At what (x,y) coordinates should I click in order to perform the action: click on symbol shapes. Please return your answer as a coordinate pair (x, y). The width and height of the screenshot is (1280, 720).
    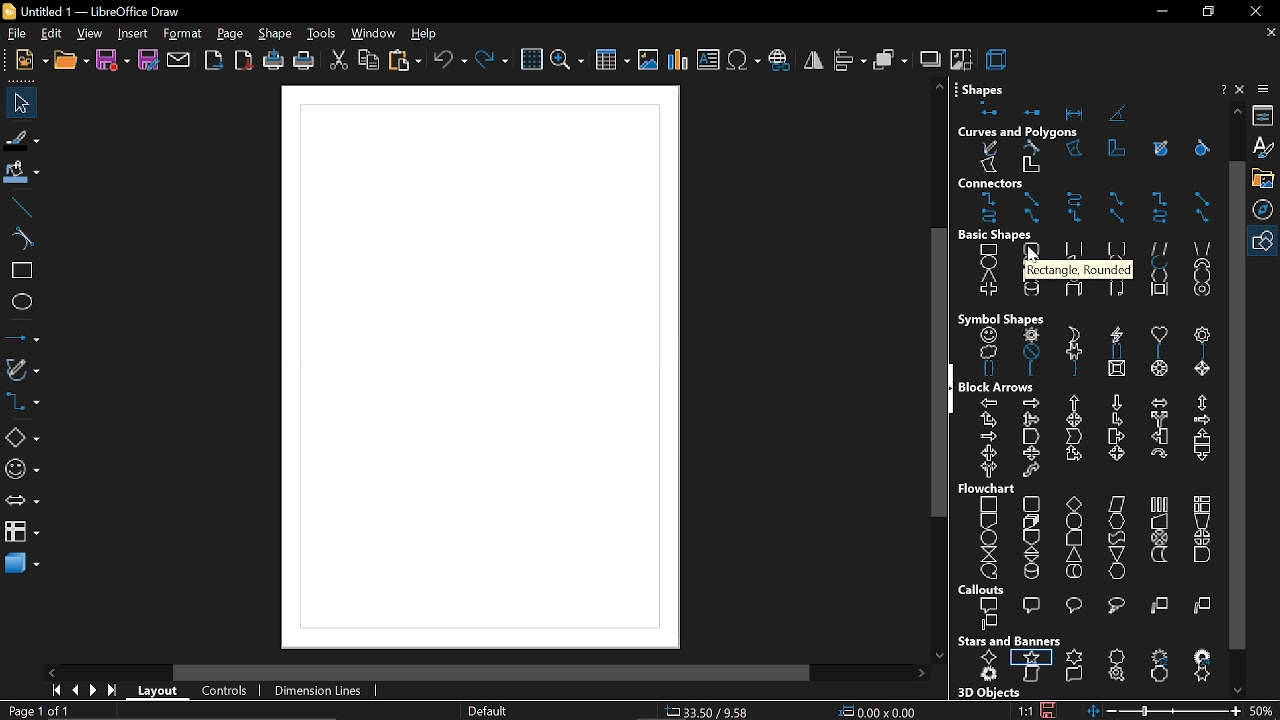
    Looking at the image, I should click on (22, 470).